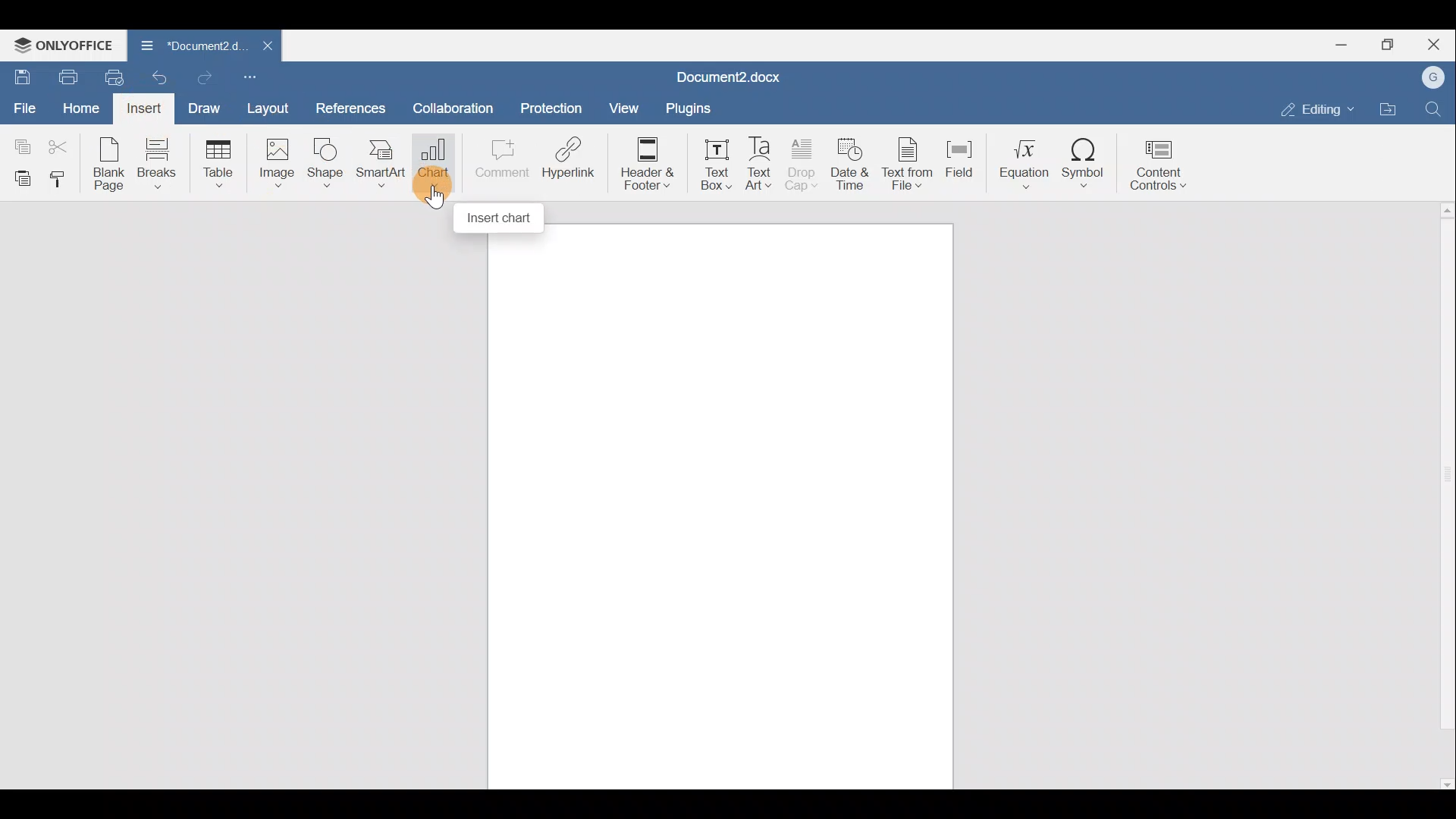  What do you see at coordinates (67, 76) in the screenshot?
I see `Print file` at bounding box center [67, 76].